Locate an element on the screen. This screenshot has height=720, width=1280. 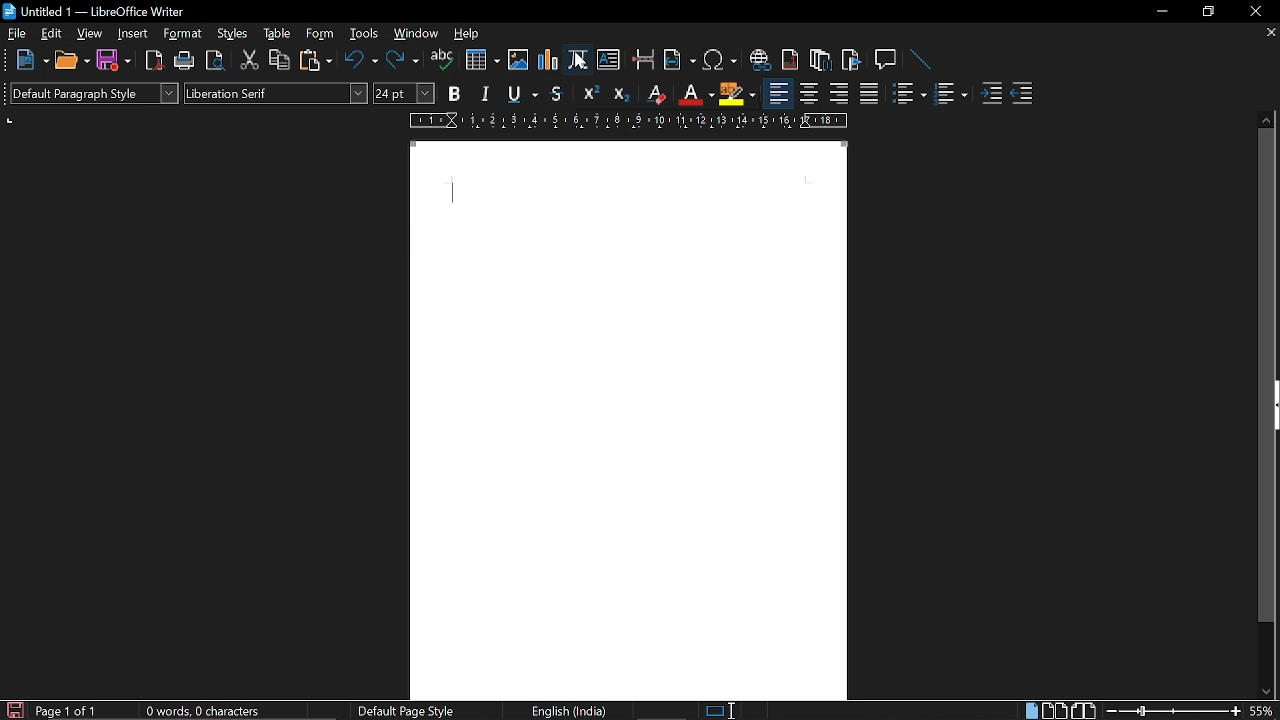
minimize is located at coordinates (1164, 12).